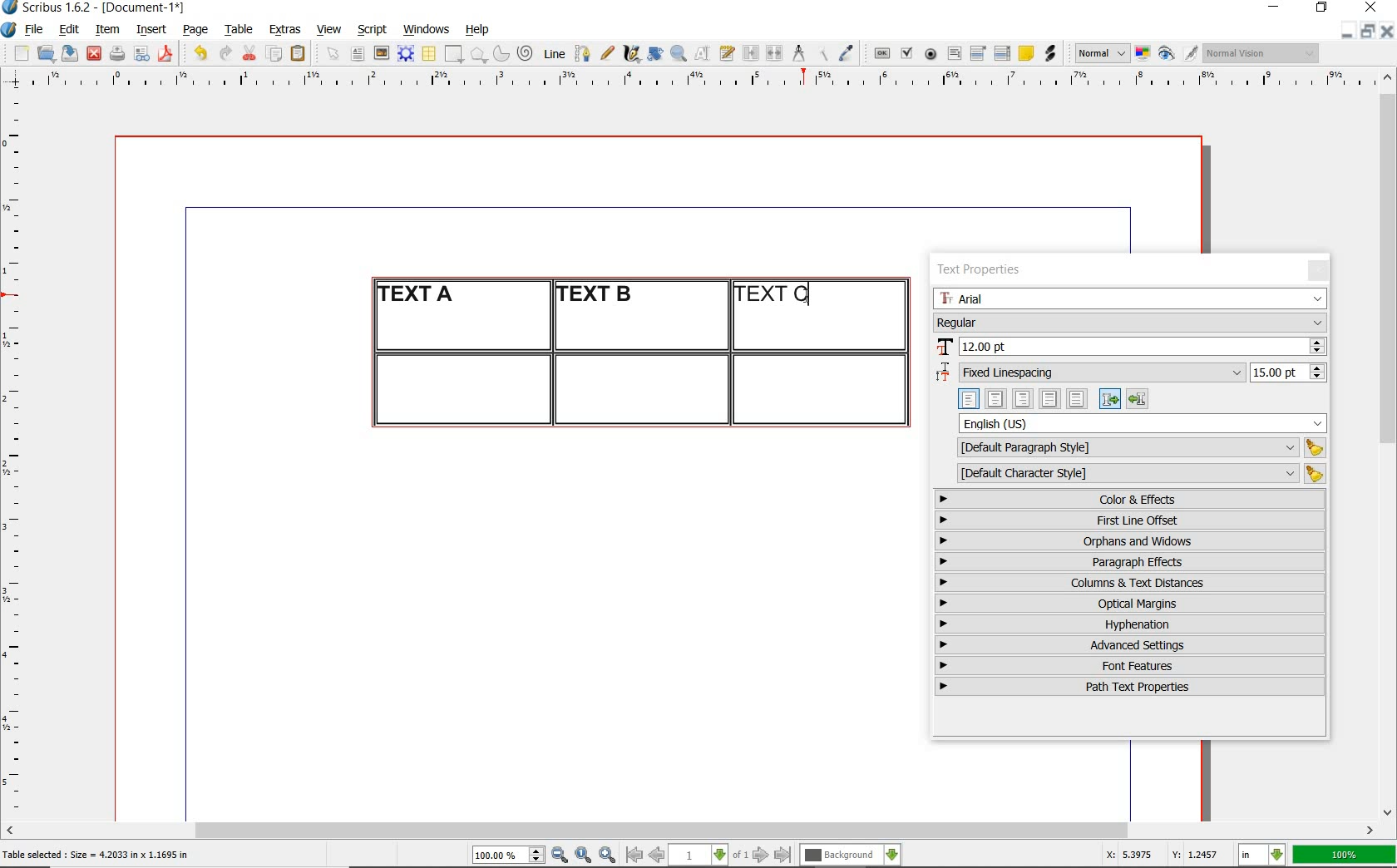 Image resolution: width=1397 pixels, height=868 pixels. I want to click on columns & text distances, so click(1133, 583).